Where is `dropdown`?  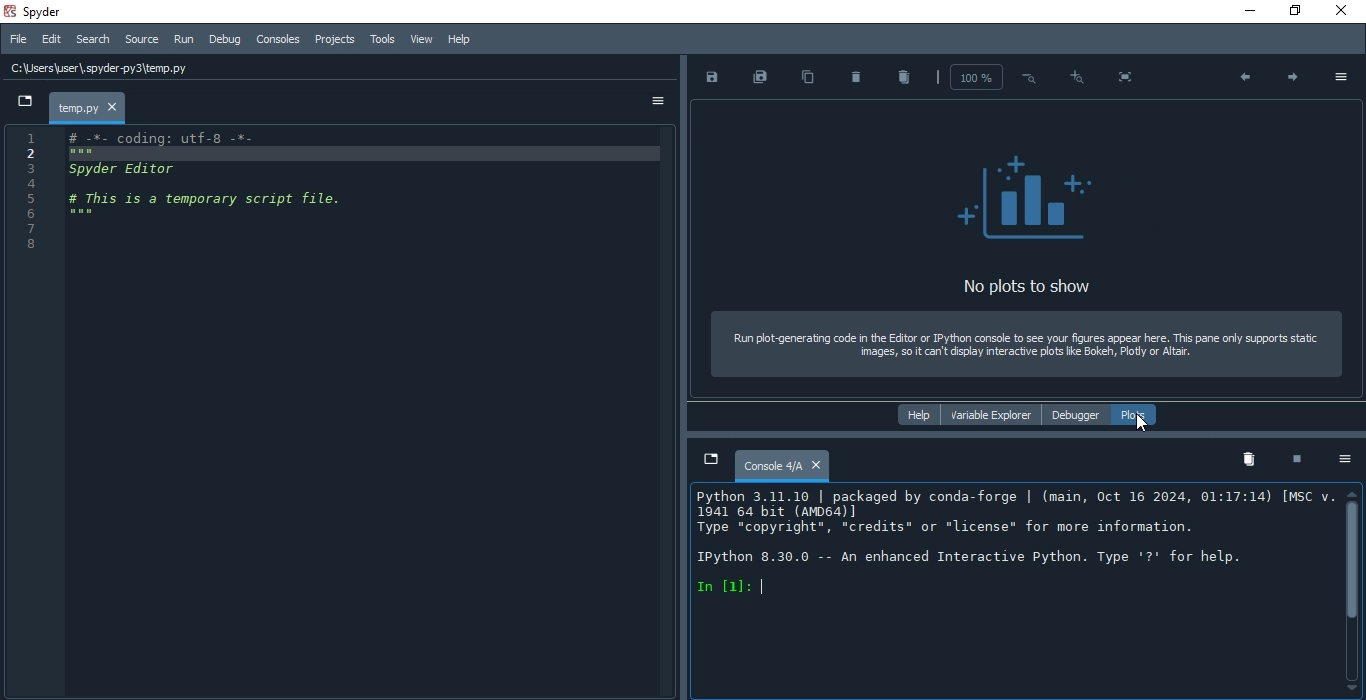
dropdown is located at coordinates (708, 460).